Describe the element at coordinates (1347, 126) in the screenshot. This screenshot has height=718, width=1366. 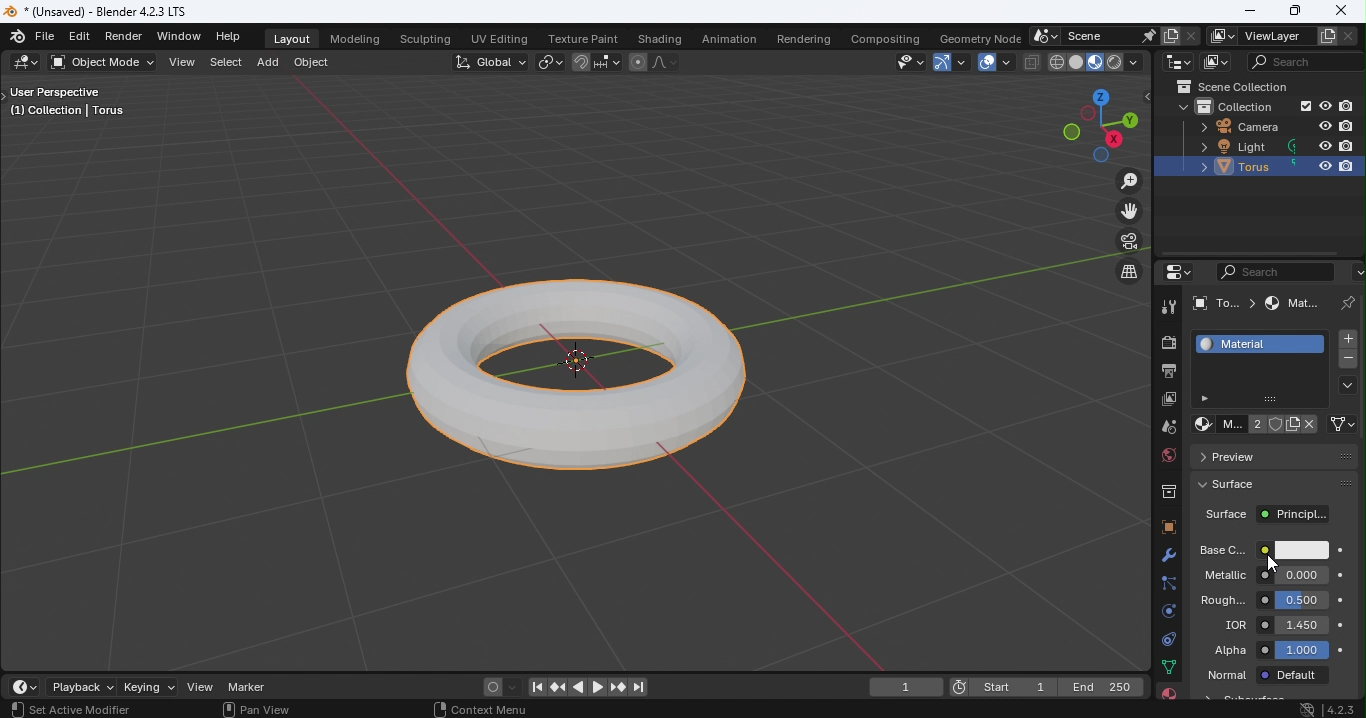
I see `Disable in renders` at that location.